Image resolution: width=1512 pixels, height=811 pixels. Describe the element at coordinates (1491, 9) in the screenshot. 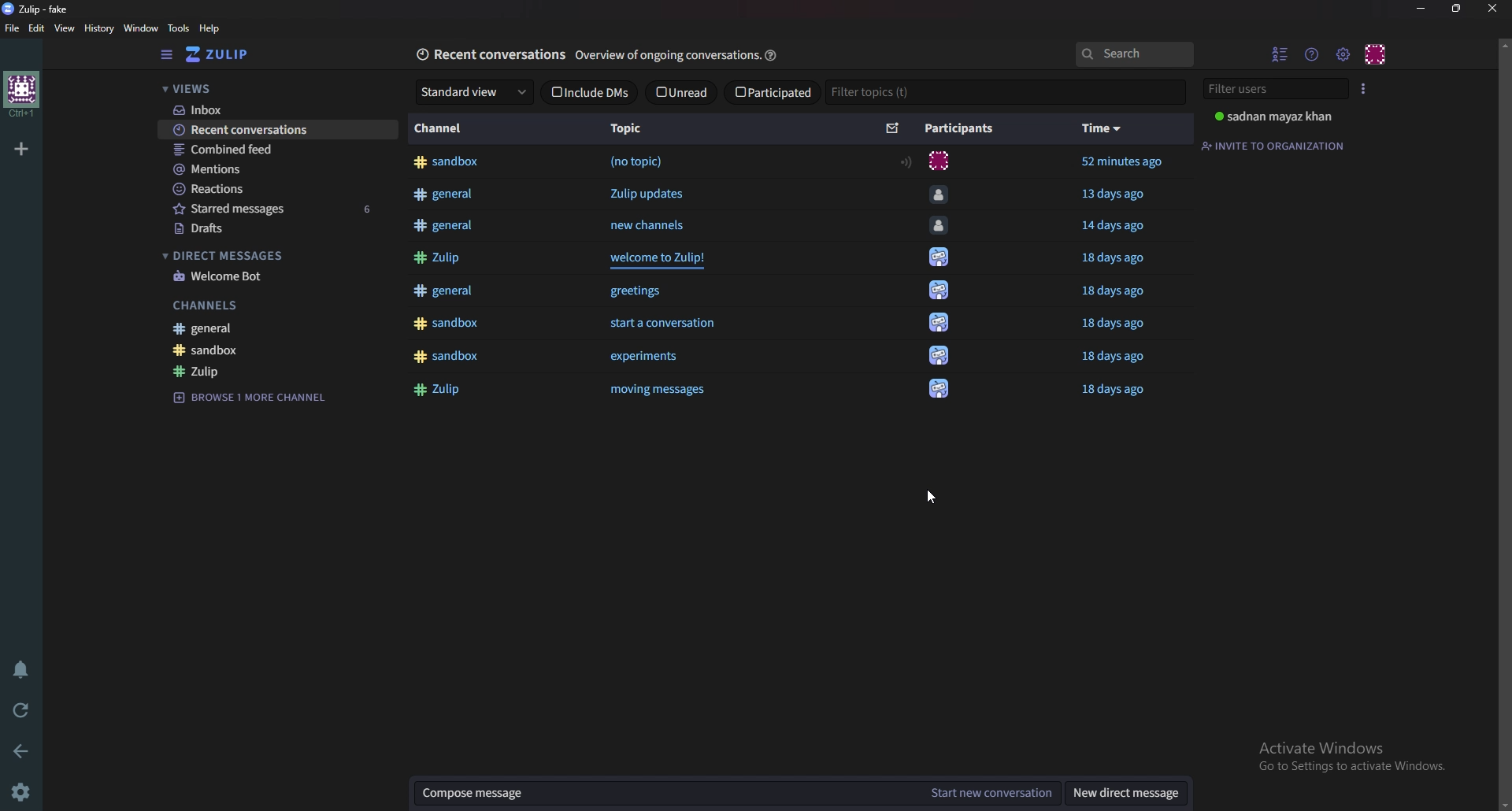

I see `close` at that location.